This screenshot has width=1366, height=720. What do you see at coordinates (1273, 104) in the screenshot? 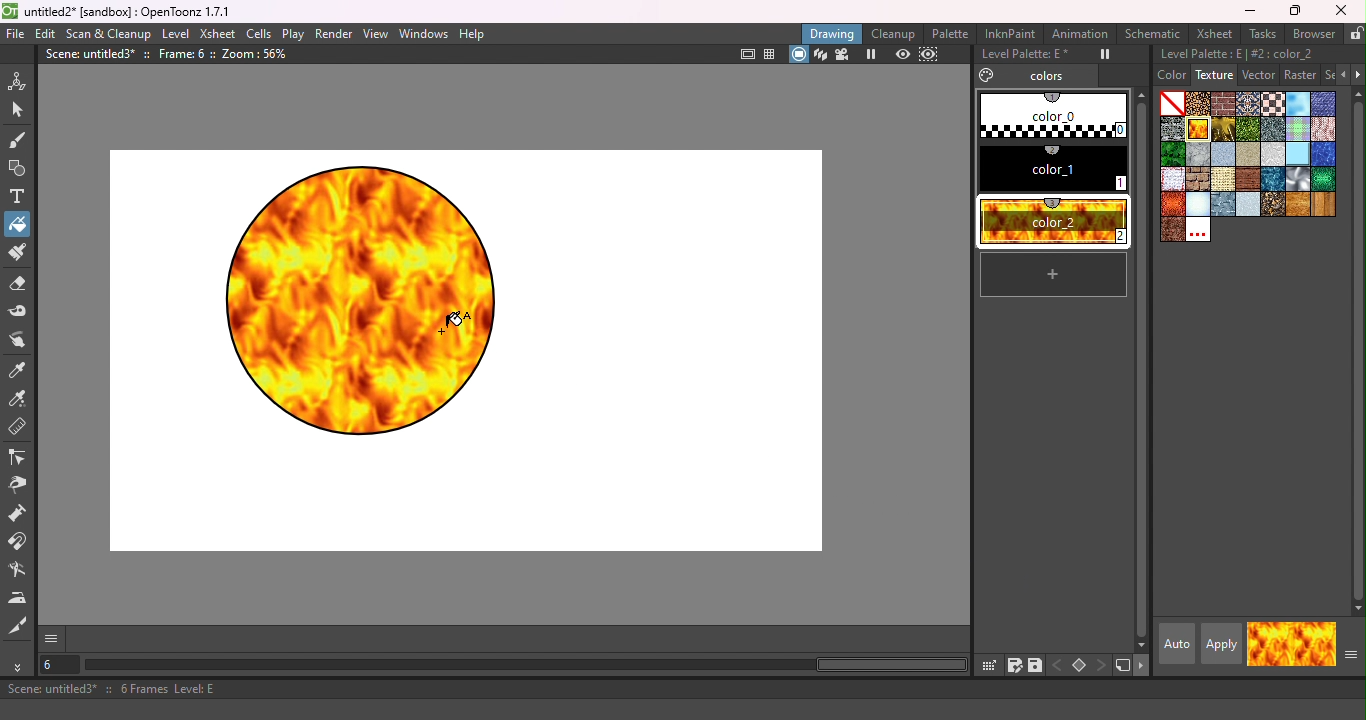
I see `Chessboard.bmp` at bounding box center [1273, 104].